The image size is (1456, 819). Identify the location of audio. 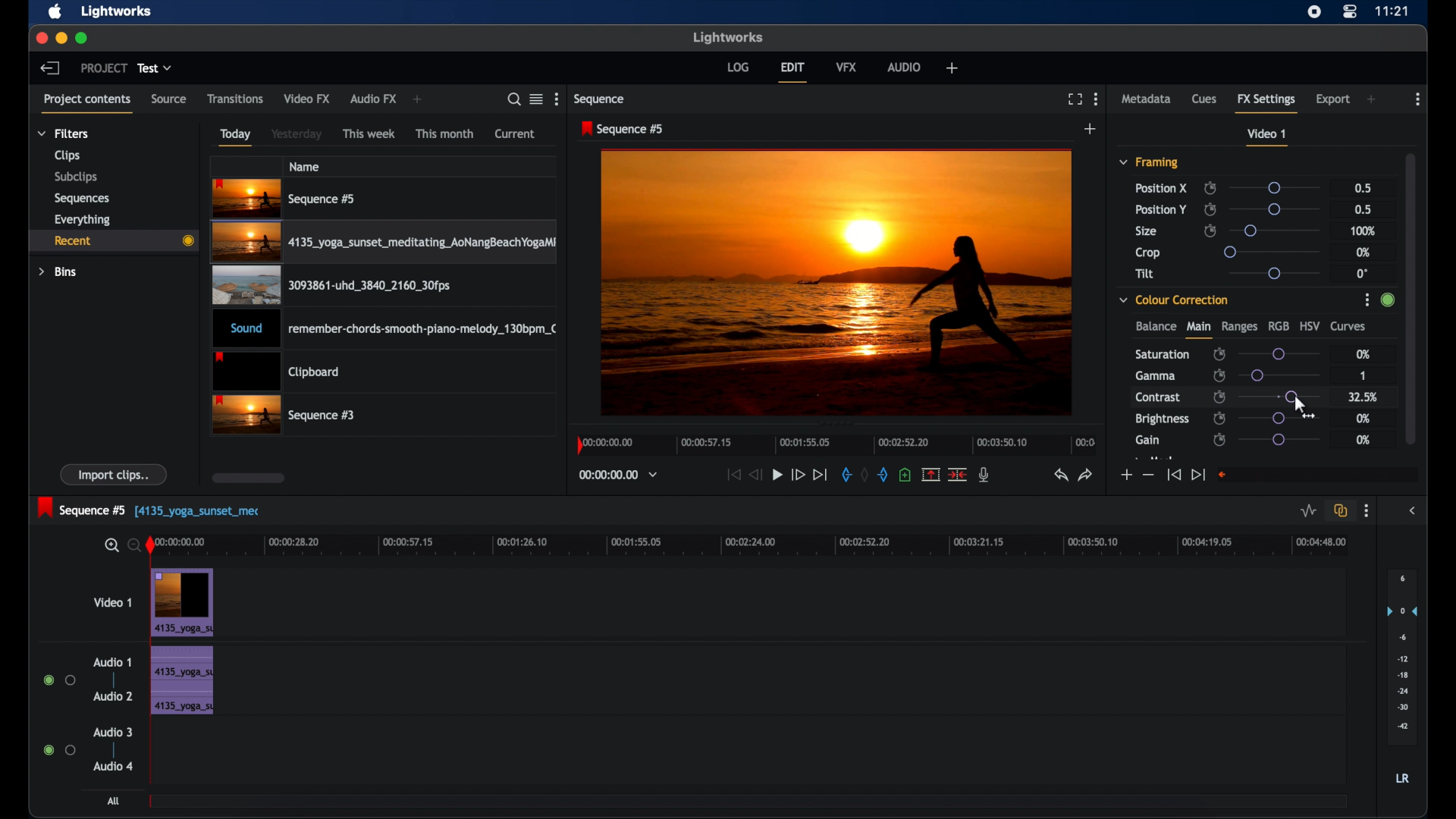
(905, 67).